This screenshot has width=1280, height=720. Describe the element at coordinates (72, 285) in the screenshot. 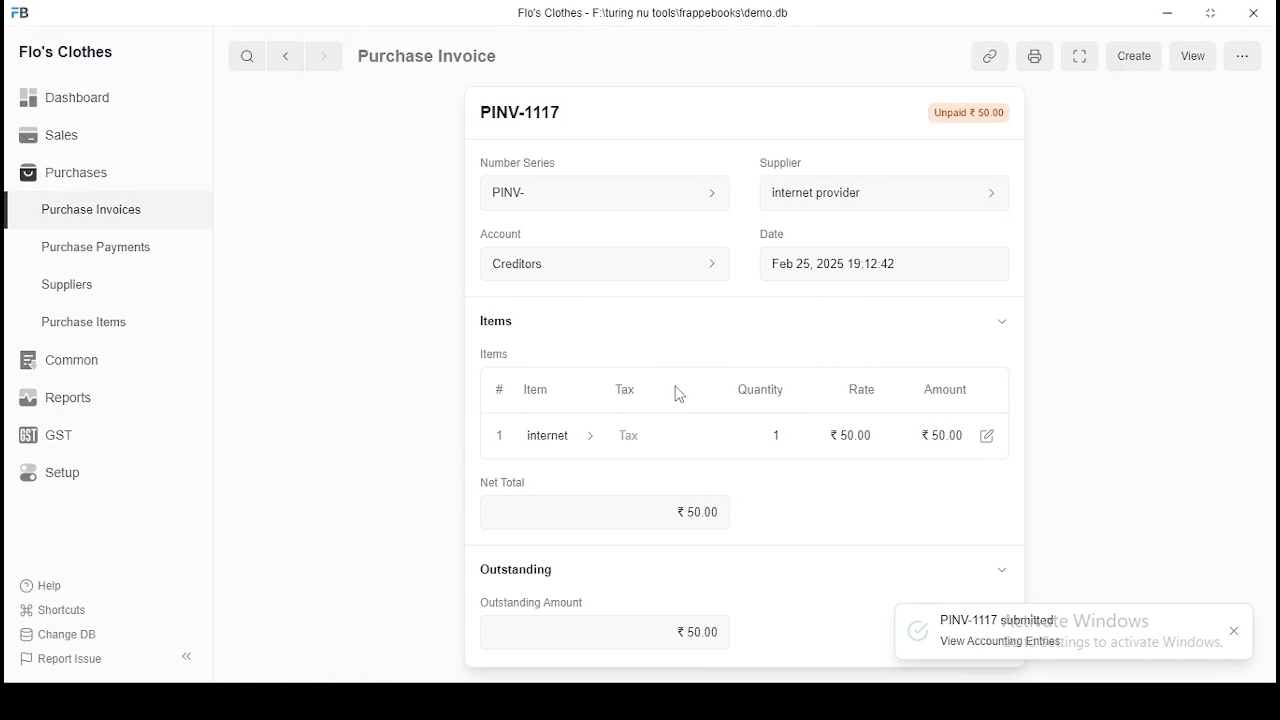

I see `Suppliers` at that location.